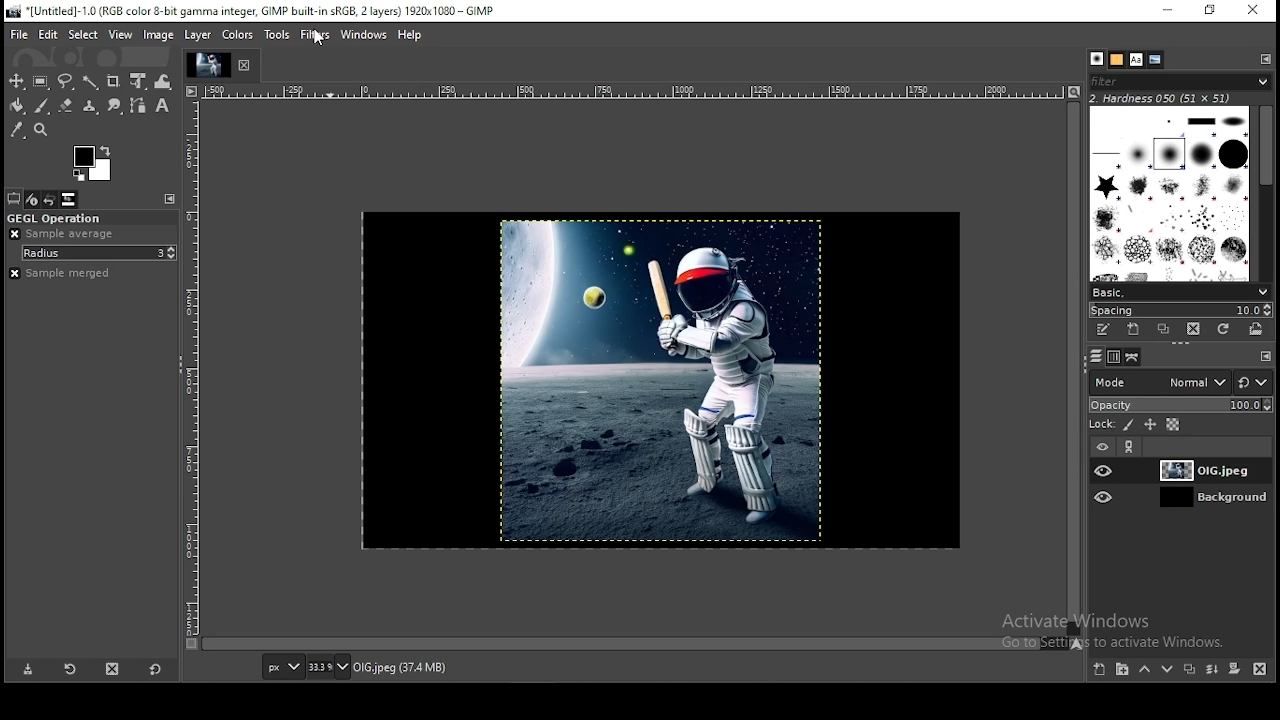 The height and width of the screenshot is (720, 1280). What do you see at coordinates (140, 80) in the screenshot?
I see `unified transform tool` at bounding box center [140, 80].